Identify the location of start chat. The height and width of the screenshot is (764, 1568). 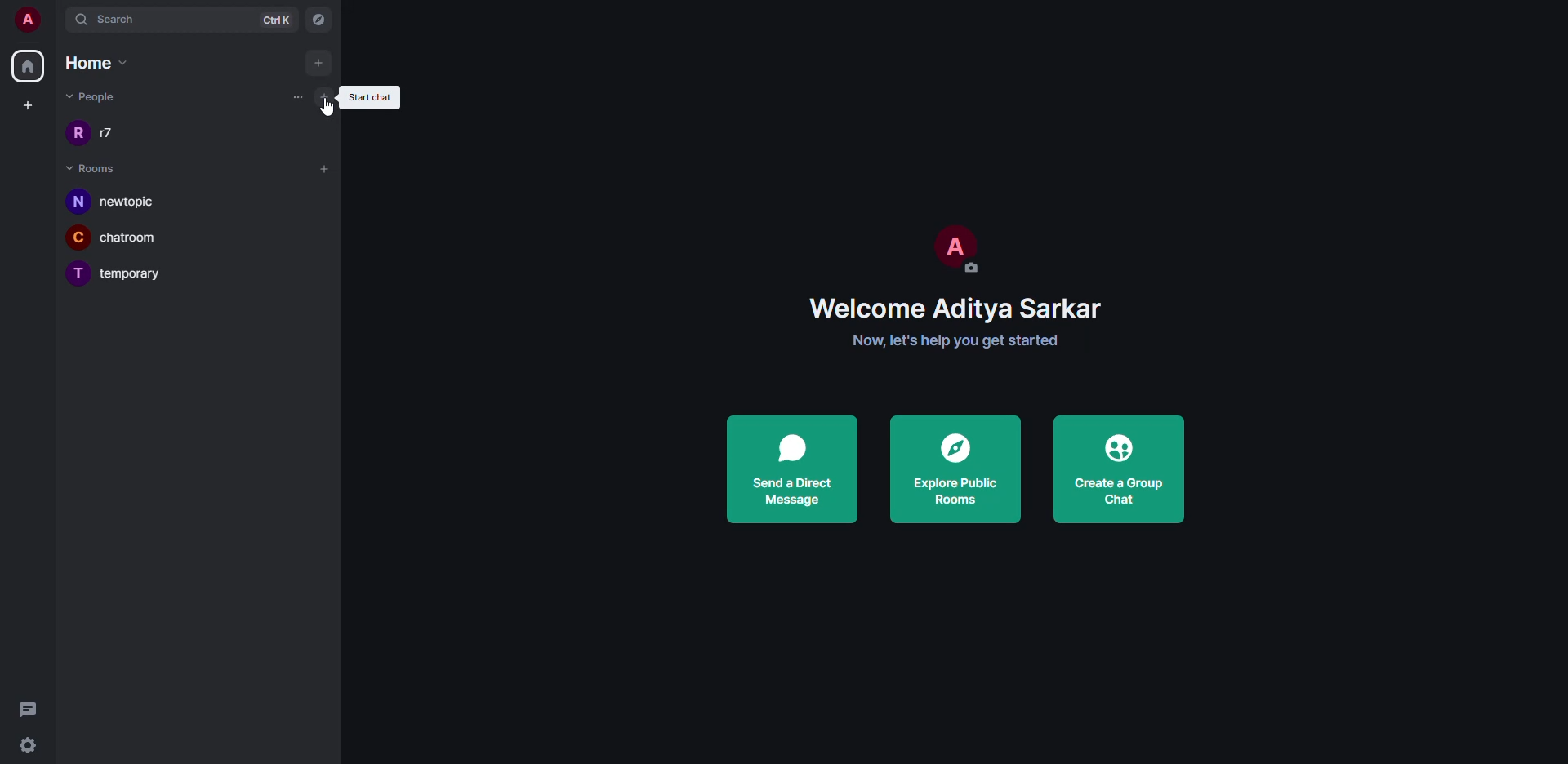
(324, 94).